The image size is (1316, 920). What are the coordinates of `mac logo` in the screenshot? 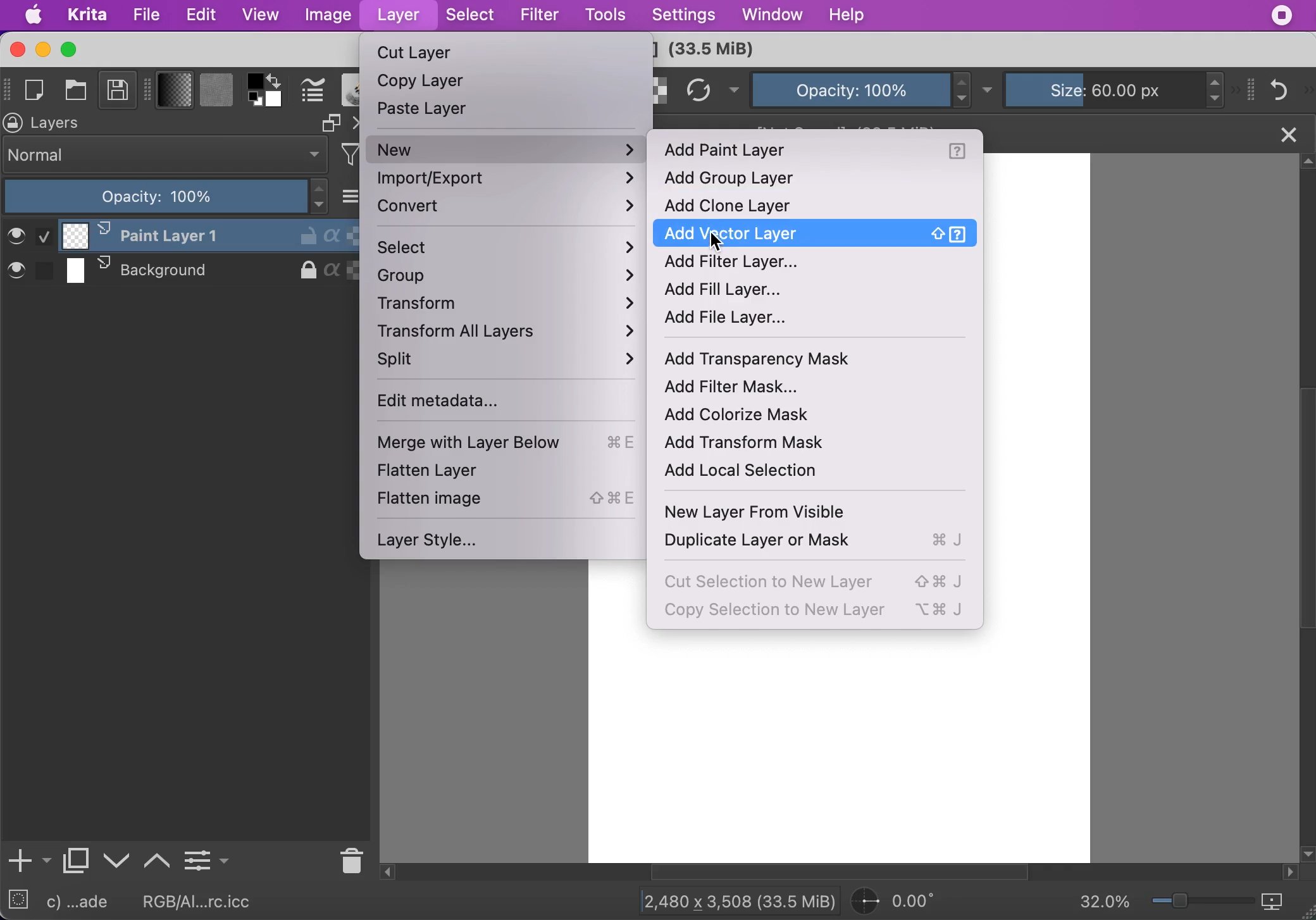 It's located at (35, 16).